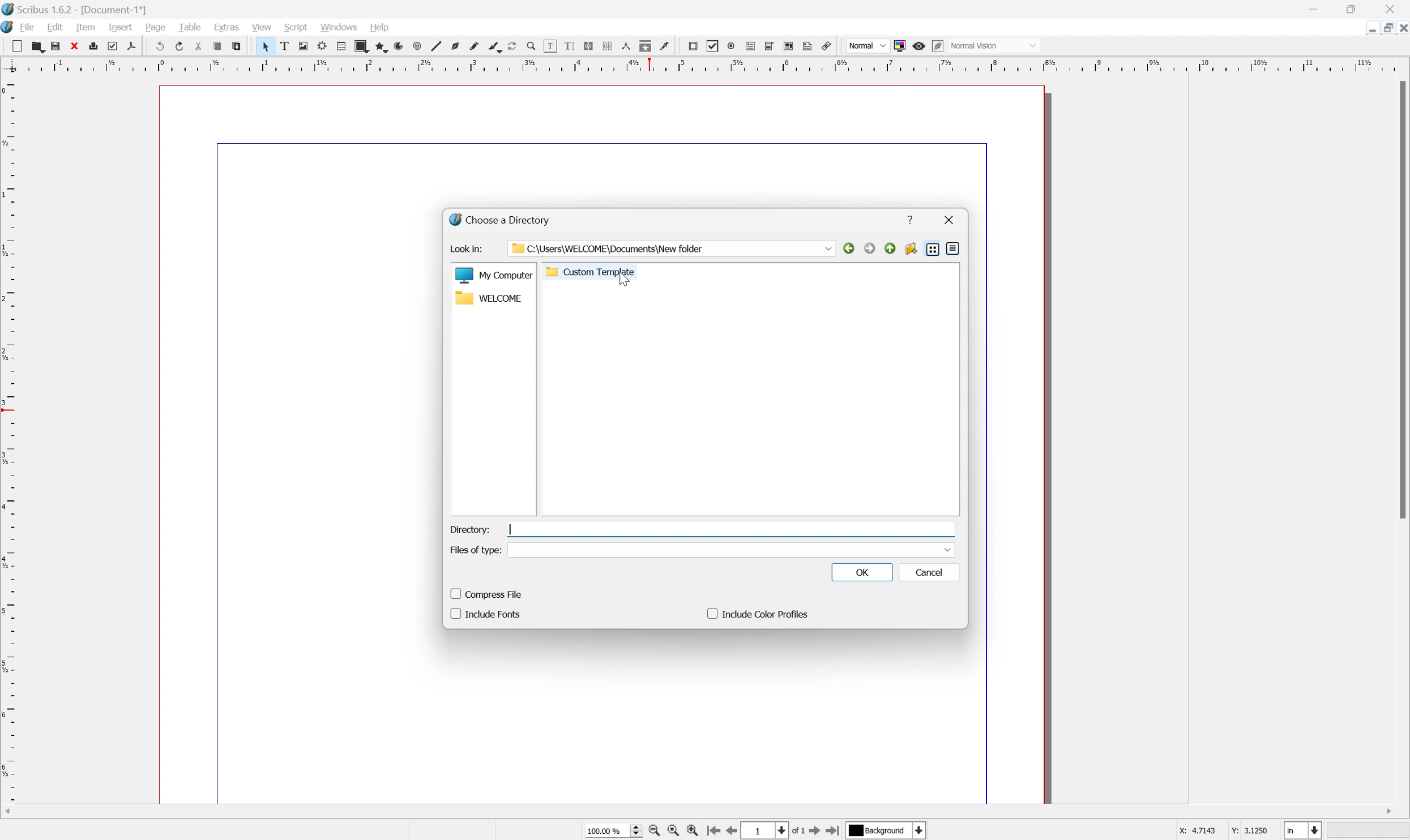 This screenshot has height=840, width=1410. I want to click on edit text with story editor, so click(569, 45).